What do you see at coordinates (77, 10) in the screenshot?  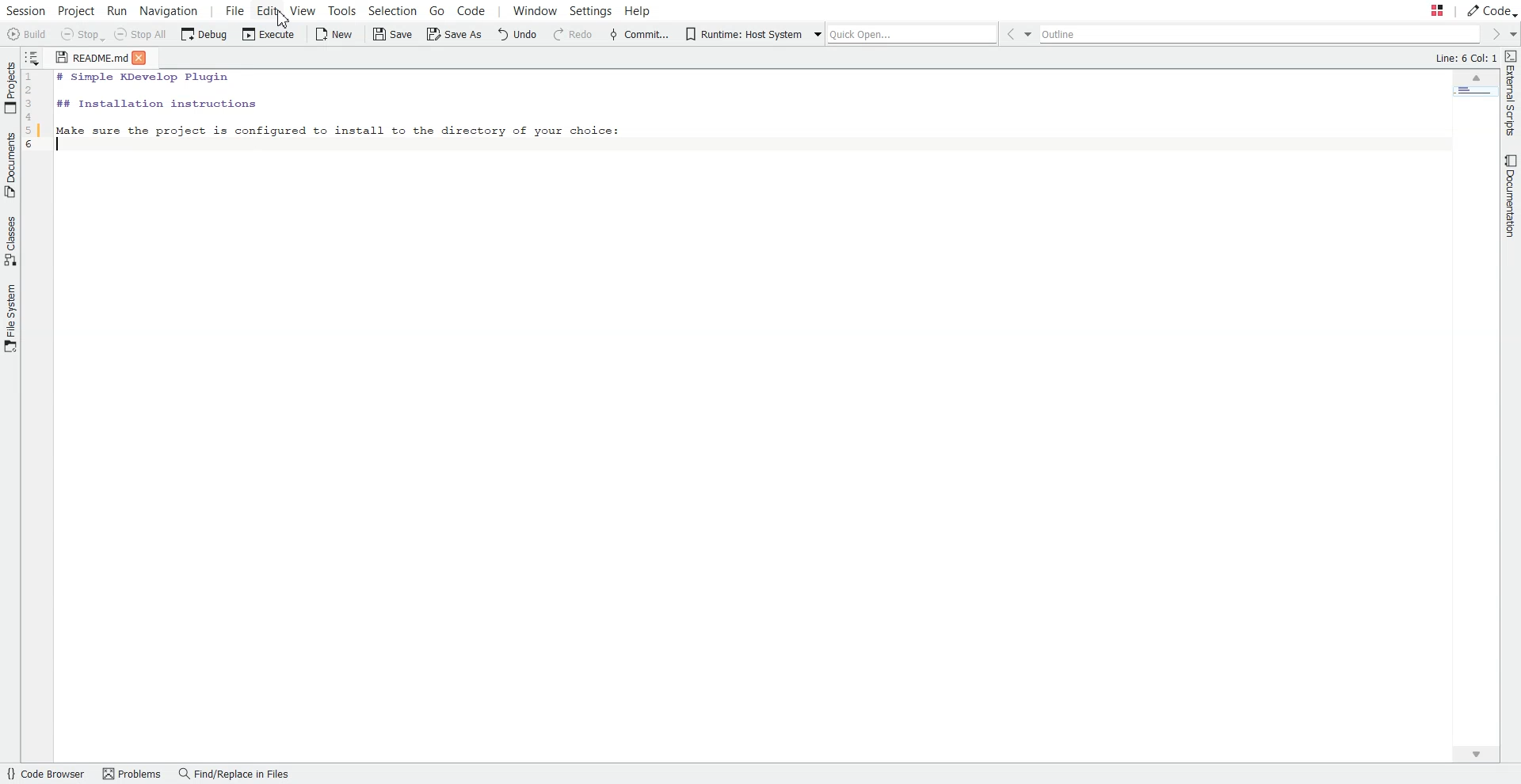 I see `Project` at bounding box center [77, 10].